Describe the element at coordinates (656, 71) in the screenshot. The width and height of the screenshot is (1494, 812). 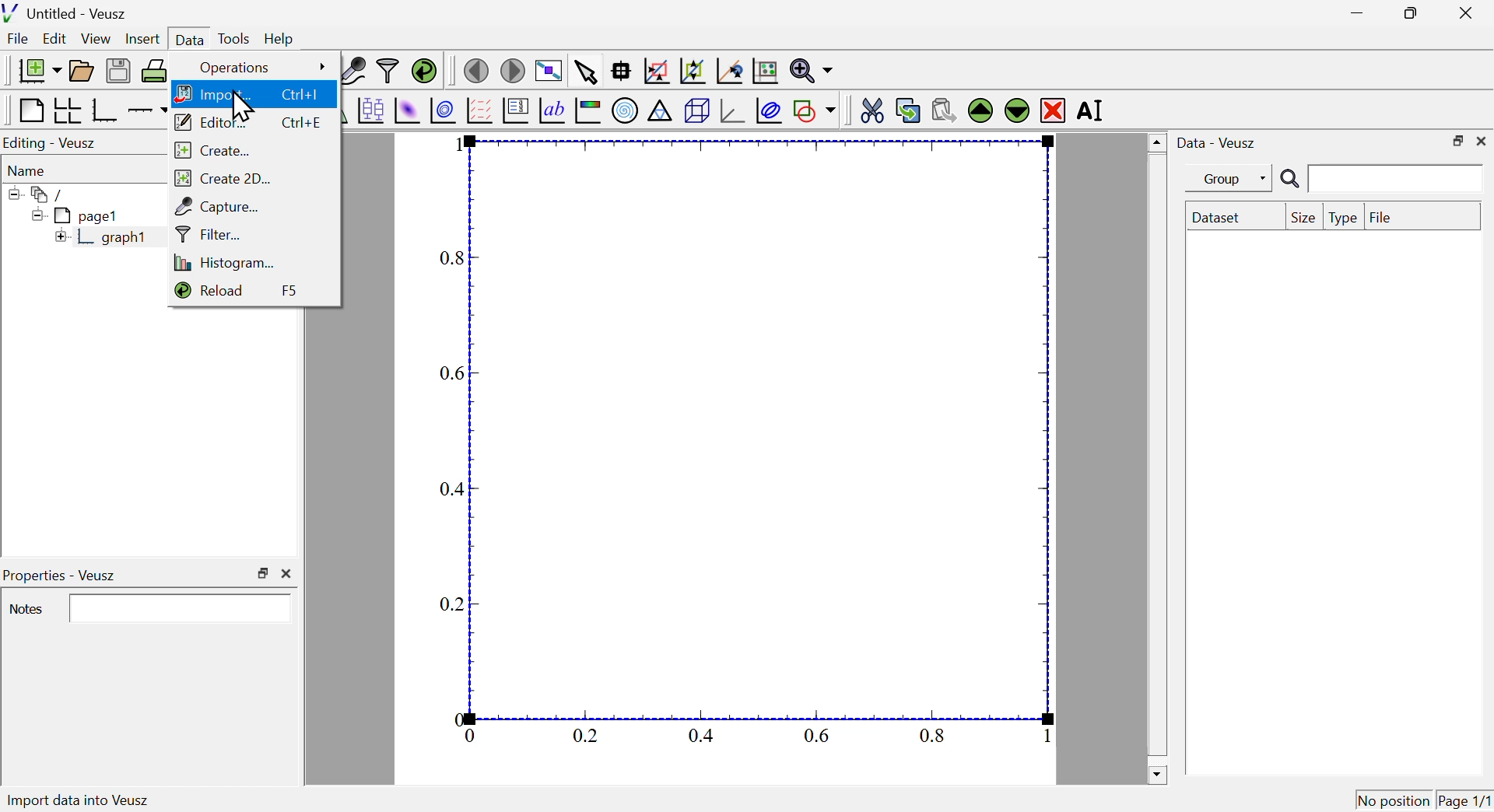
I see `draw a rectangle to zoom graph axes` at that location.